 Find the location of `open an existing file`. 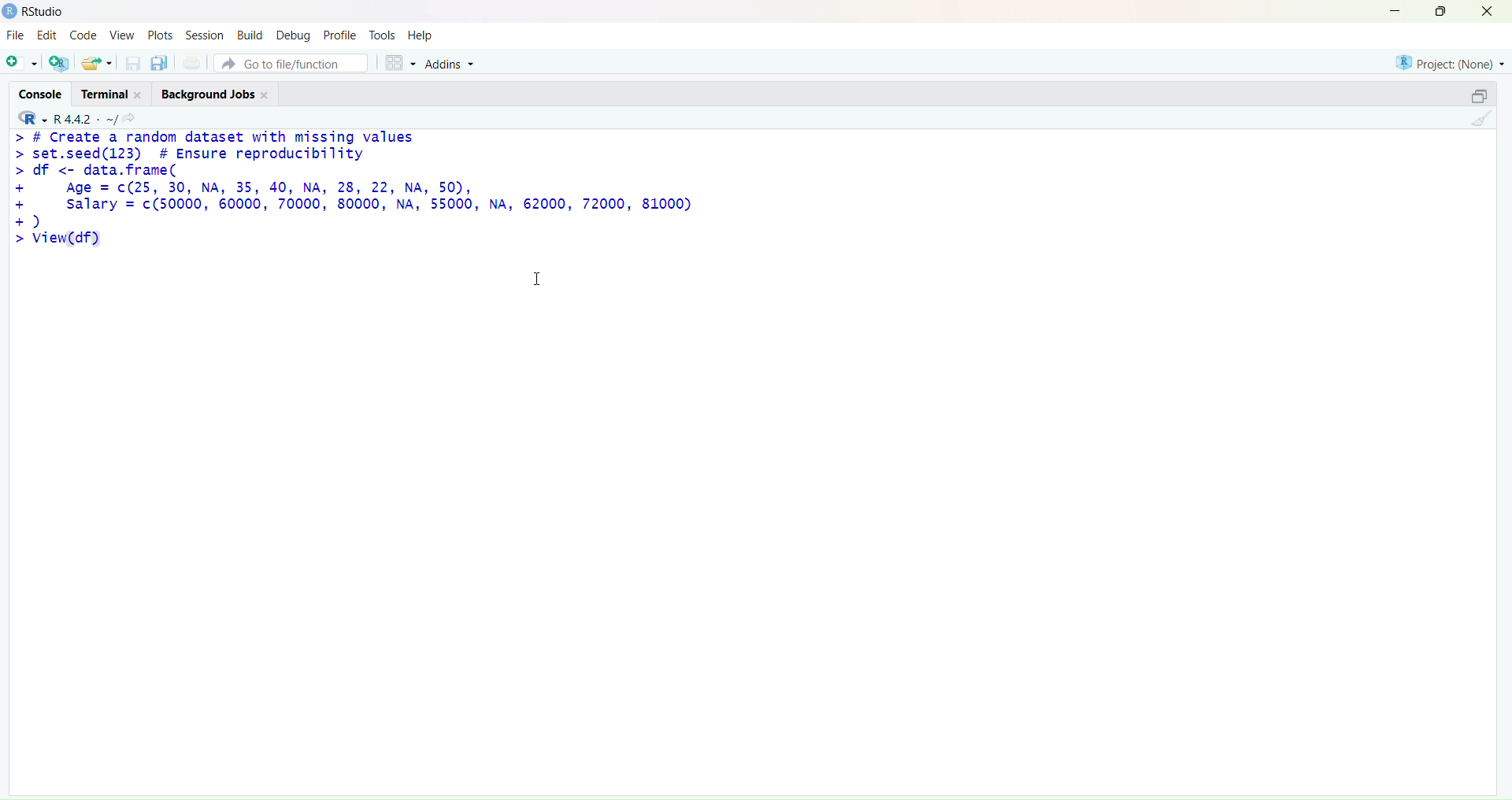

open an existing file is located at coordinates (96, 64).